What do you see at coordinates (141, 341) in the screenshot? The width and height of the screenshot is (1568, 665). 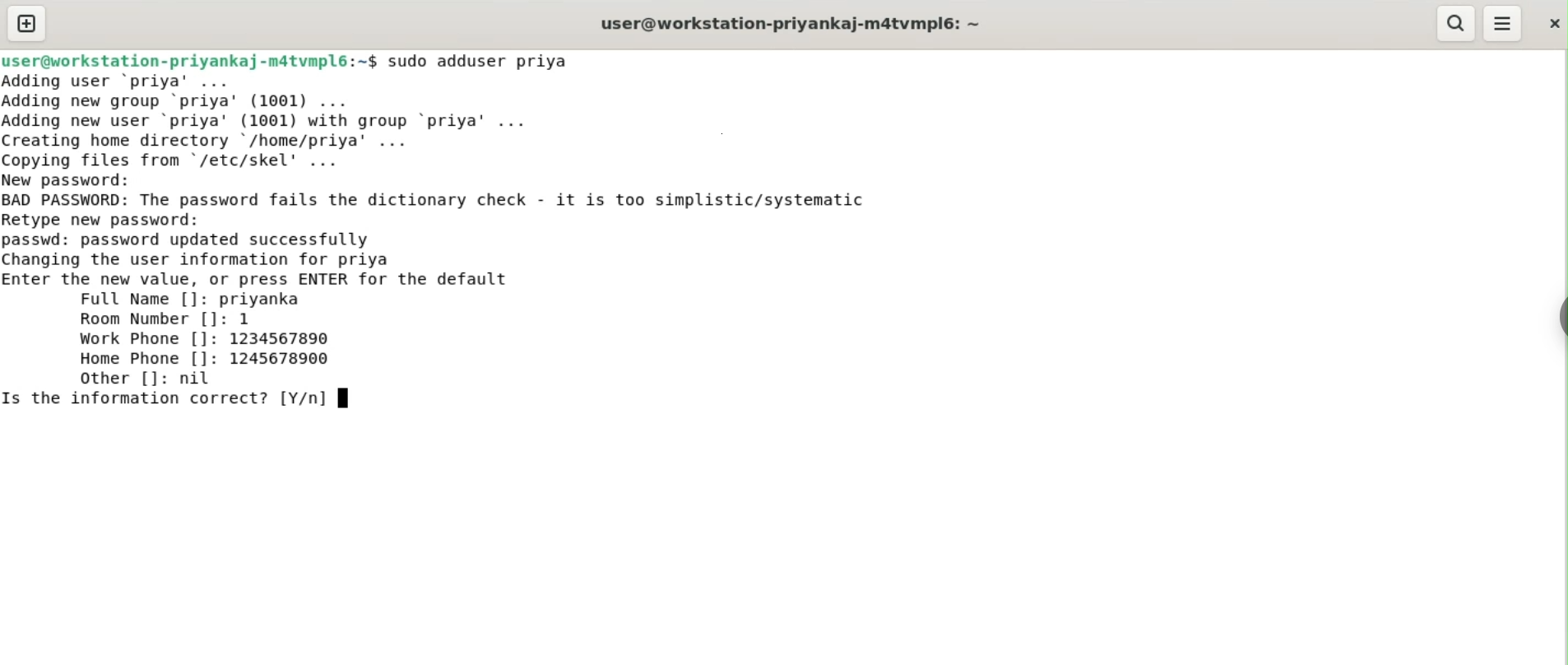 I see `work phone []:` at bounding box center [141, 341].